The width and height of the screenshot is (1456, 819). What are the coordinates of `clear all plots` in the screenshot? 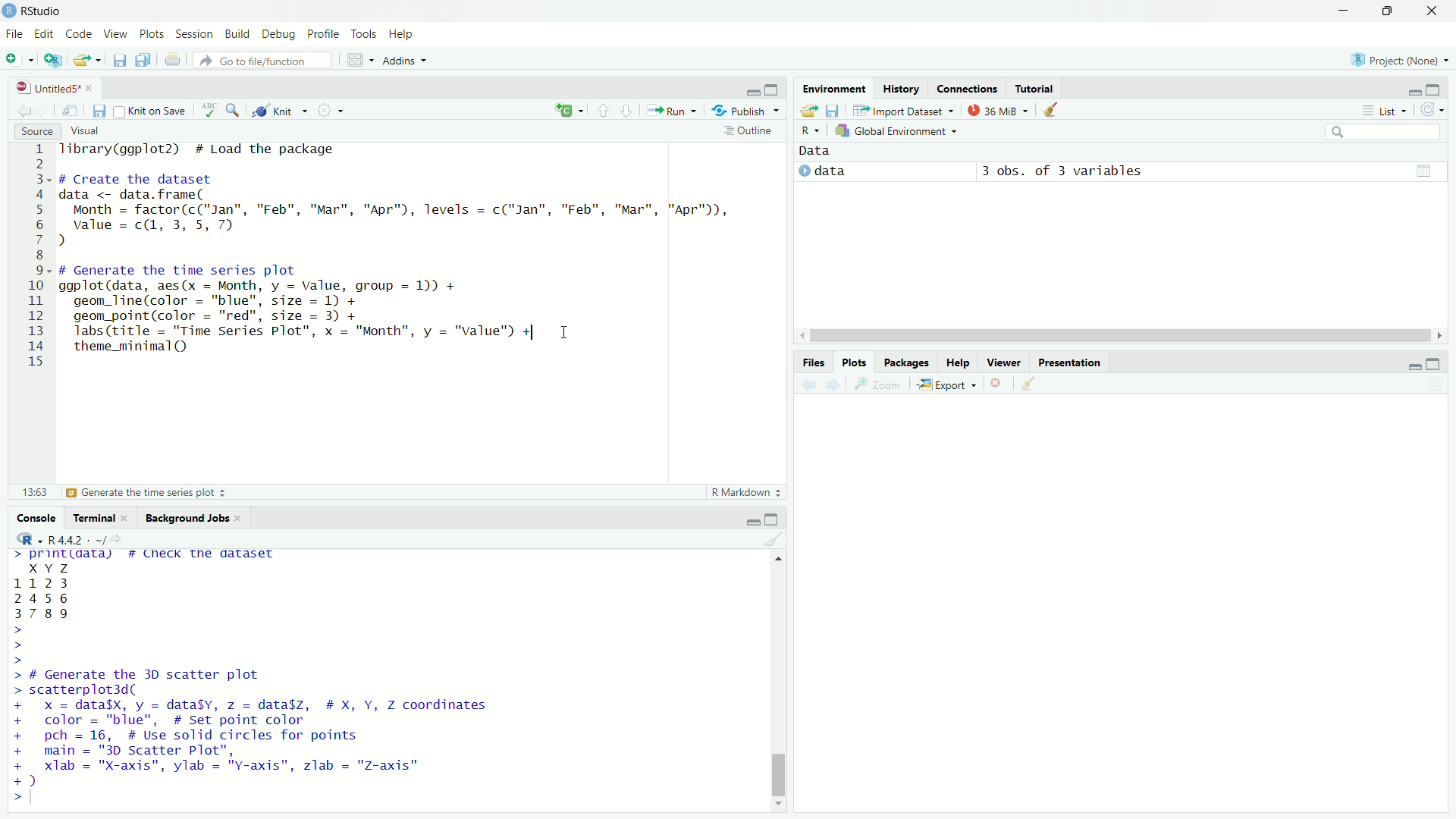 It's located at (1030, 385).